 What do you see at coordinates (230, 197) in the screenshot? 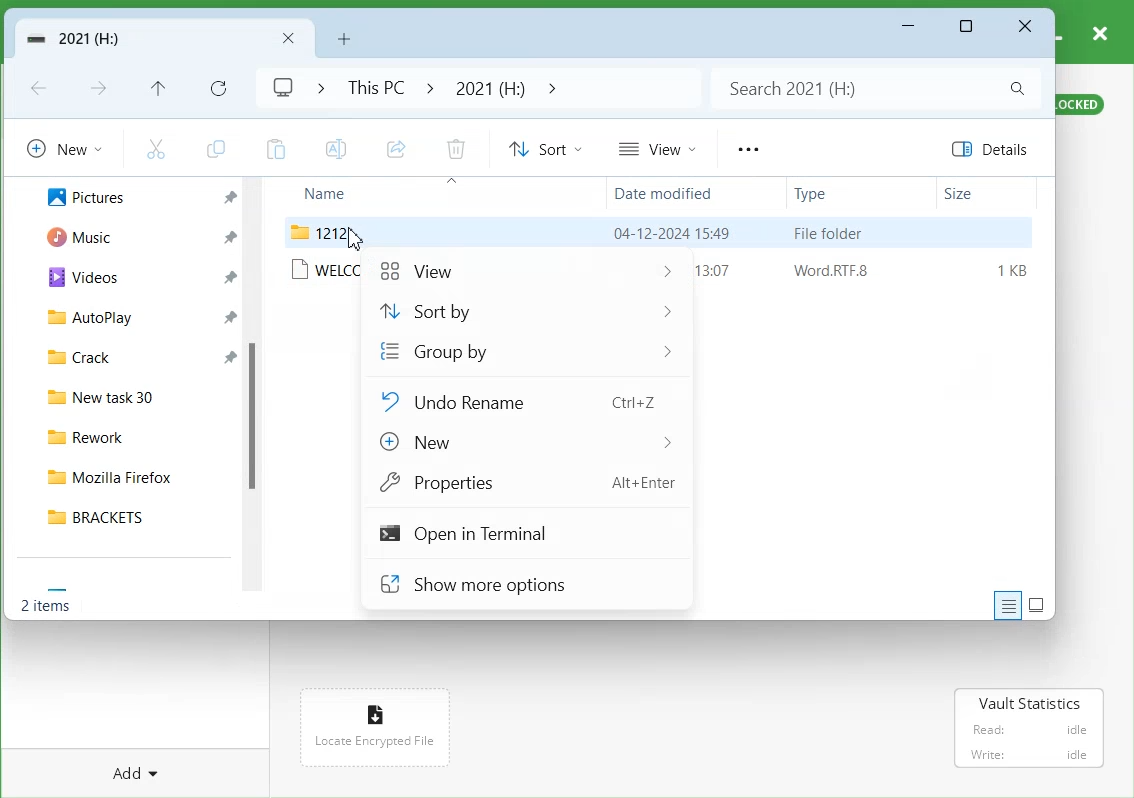
I see `Pin a file` at bounding box center [230, 197].